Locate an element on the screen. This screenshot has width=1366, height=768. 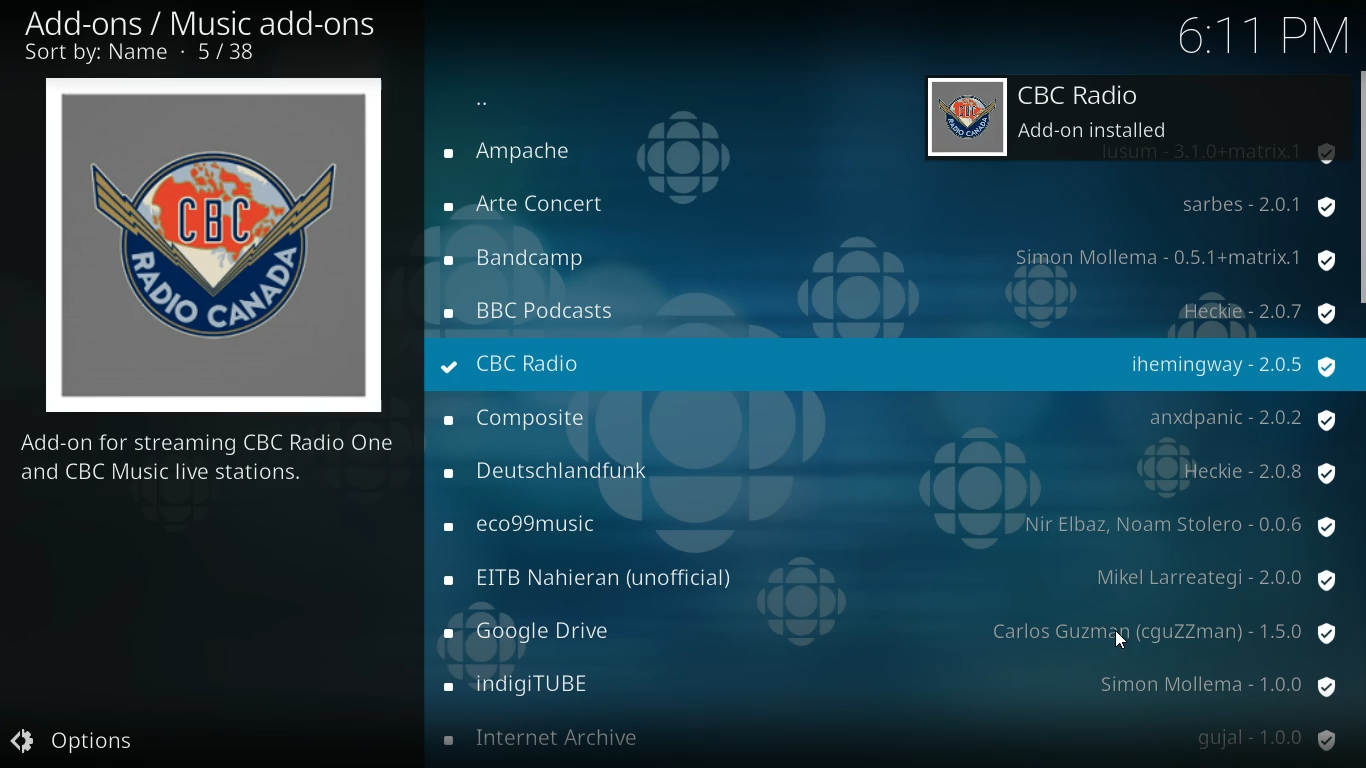
radio name is located at coordinates (561, 470).